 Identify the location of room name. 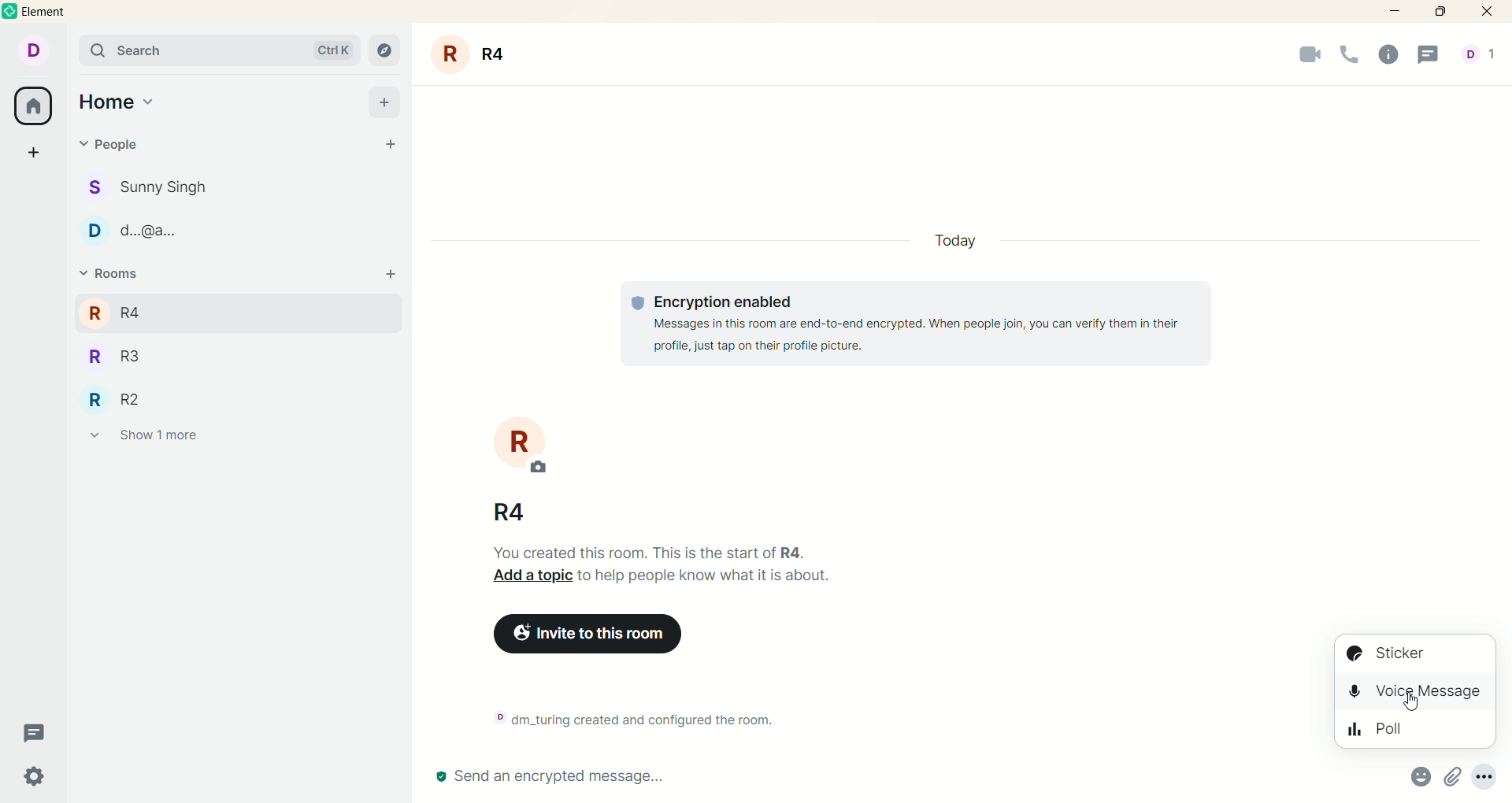
(476, 54).